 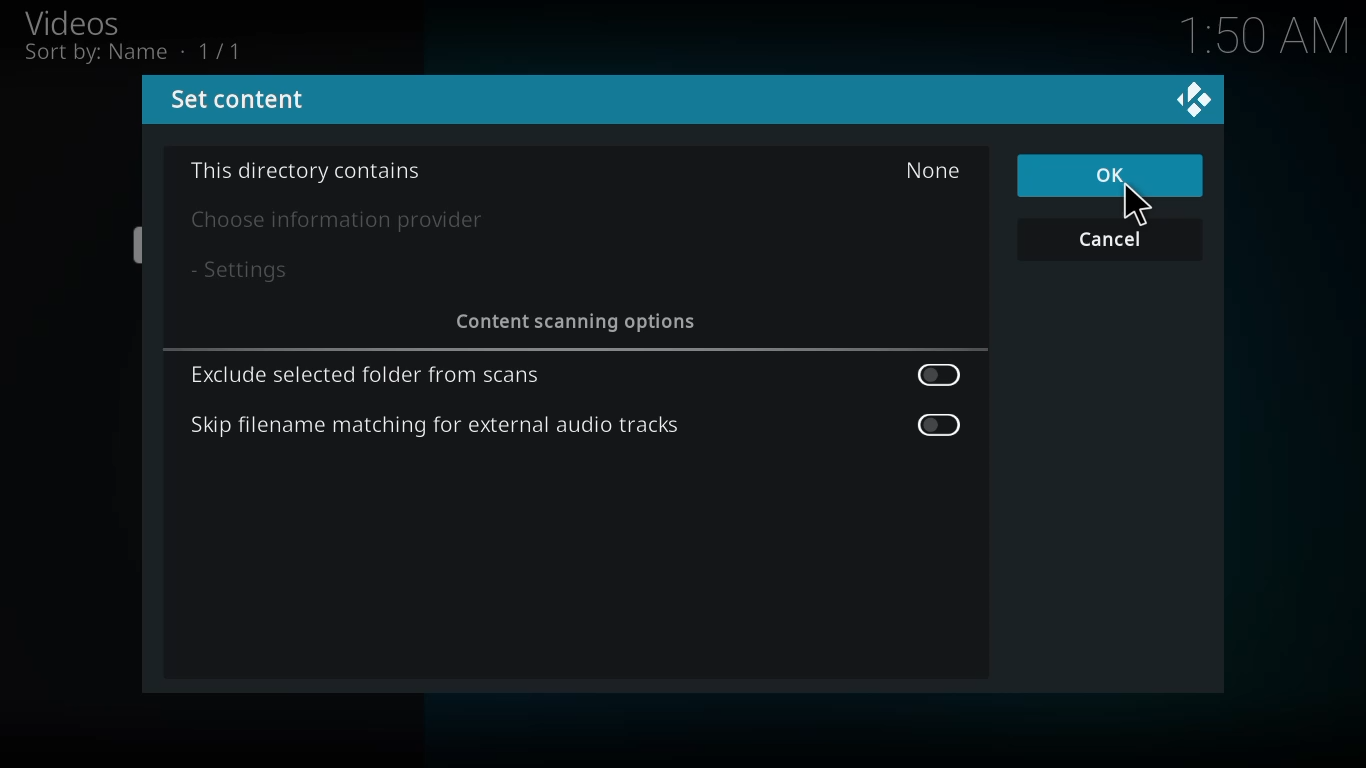 What do you see at coordinates (1103, 176) in the screenshot?
I see `ok` at bounding box center [1103, 176].